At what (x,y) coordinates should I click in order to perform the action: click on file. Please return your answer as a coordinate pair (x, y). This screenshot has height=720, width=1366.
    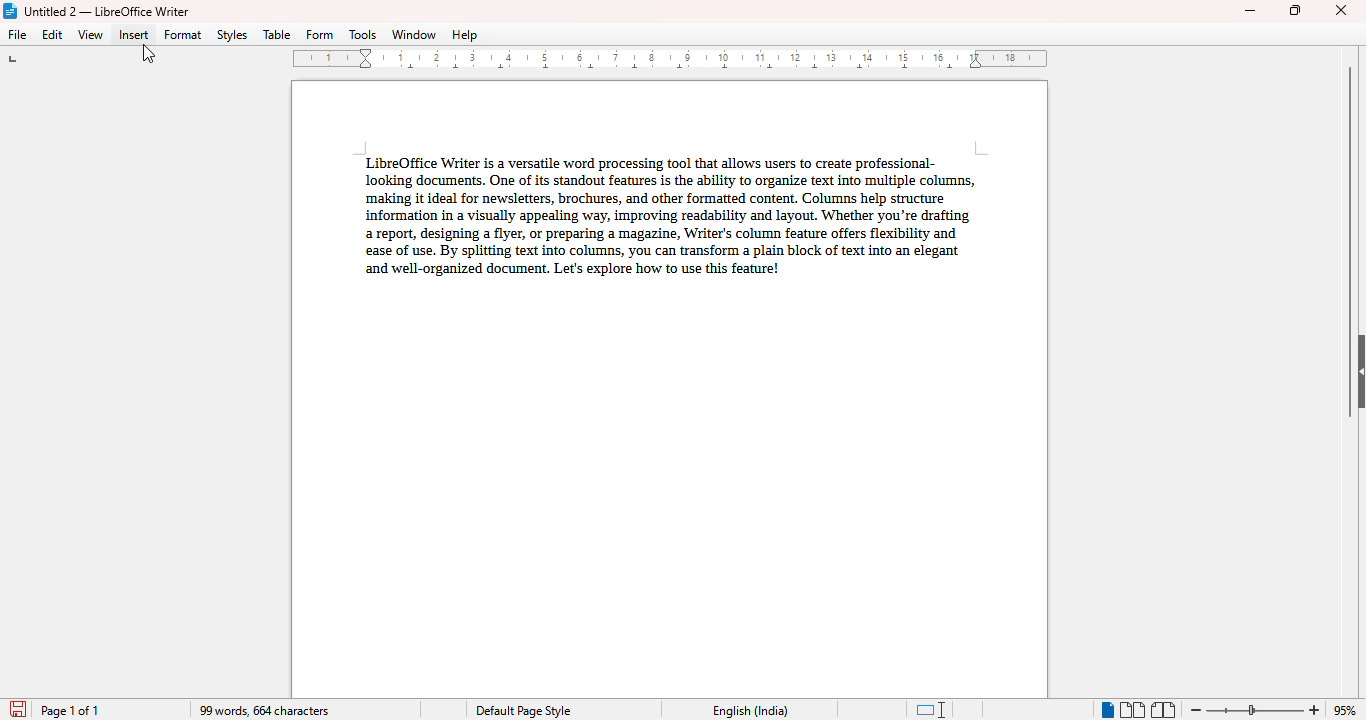
    Looking at the image, I should click on (18, 34).